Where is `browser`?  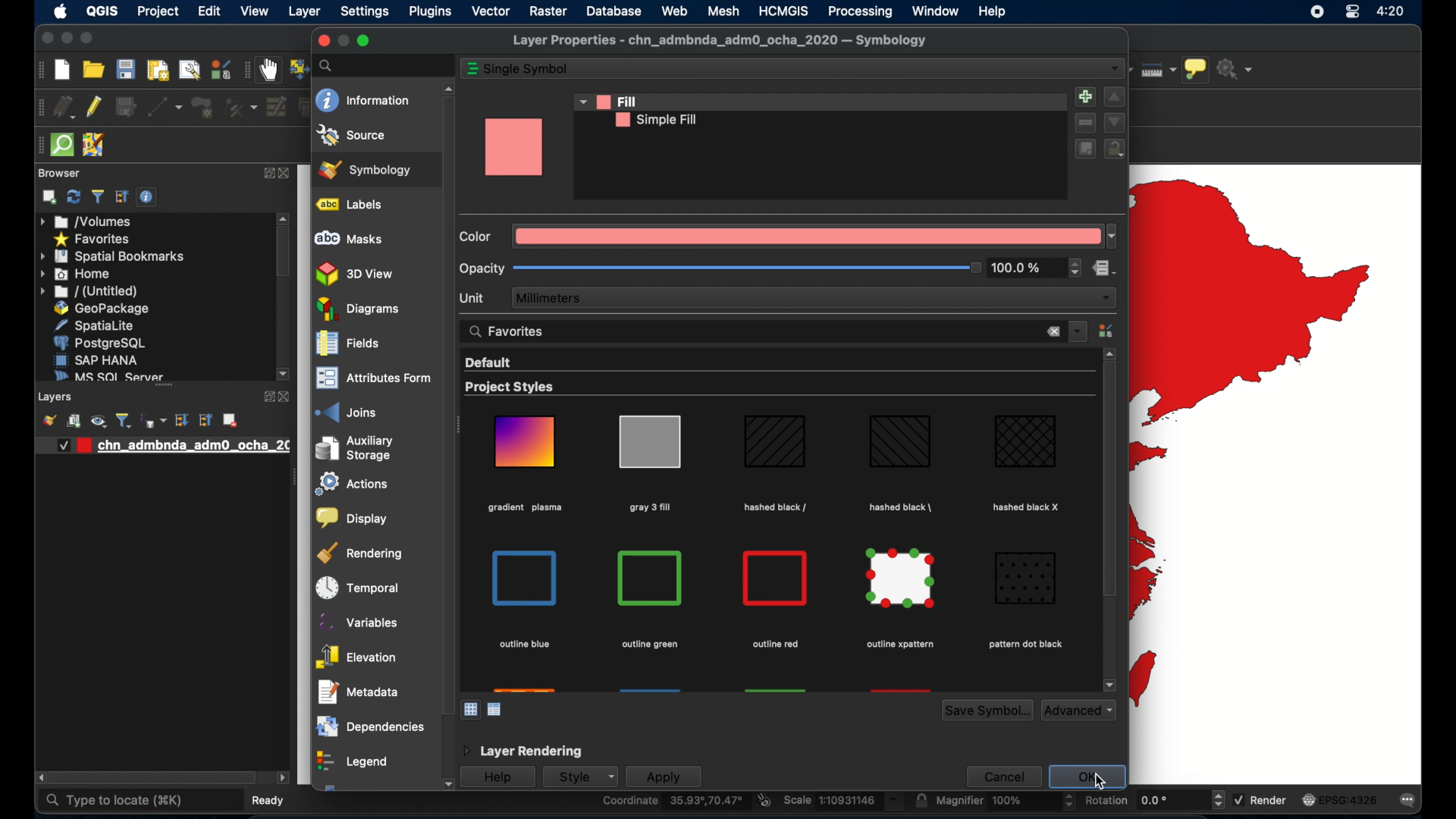 browser is located at coordinates (59, 173).